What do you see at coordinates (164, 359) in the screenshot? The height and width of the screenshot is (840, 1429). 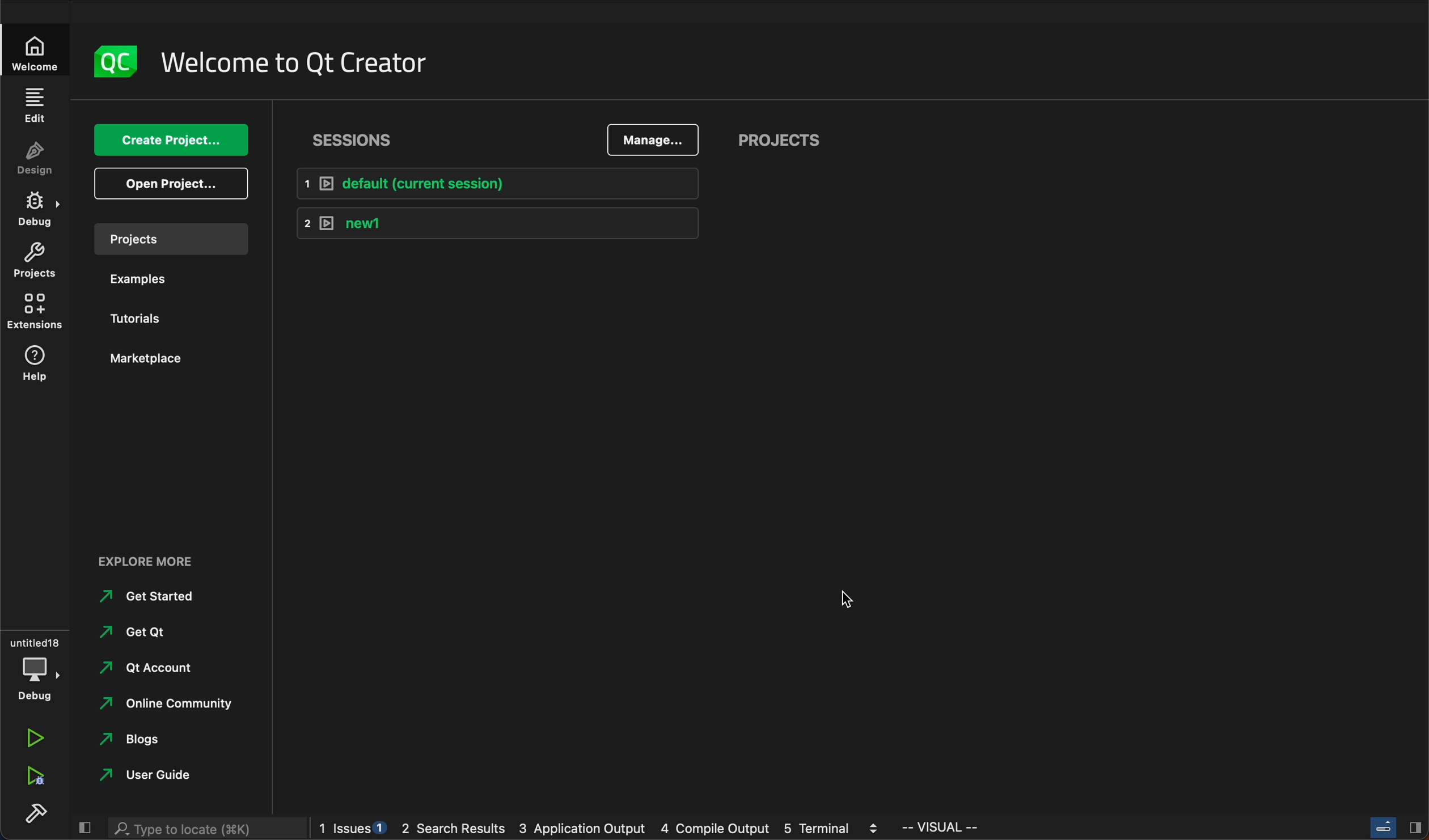 I see `marketplace` at bounding box center [164, 359].